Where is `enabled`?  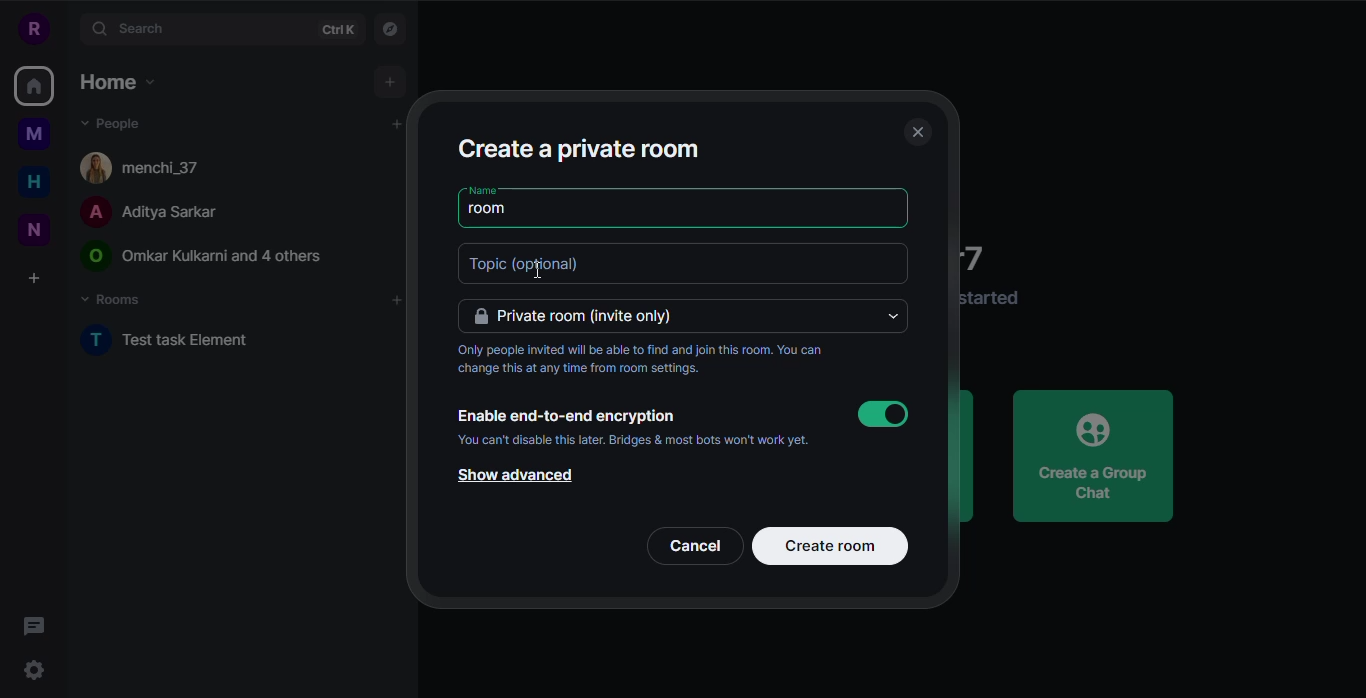 enabled is located at coordinates (883, 414).